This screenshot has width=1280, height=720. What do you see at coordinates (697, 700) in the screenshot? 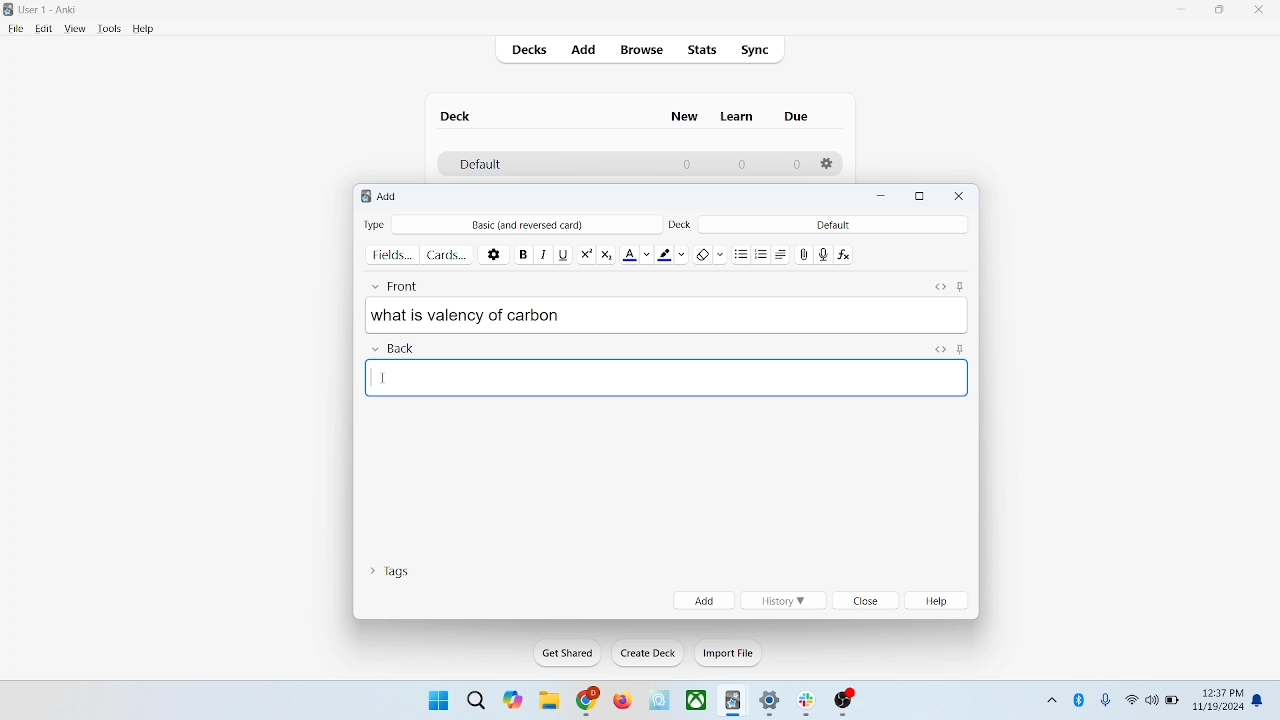
I see `x-box` at bounding box center [697, 700].